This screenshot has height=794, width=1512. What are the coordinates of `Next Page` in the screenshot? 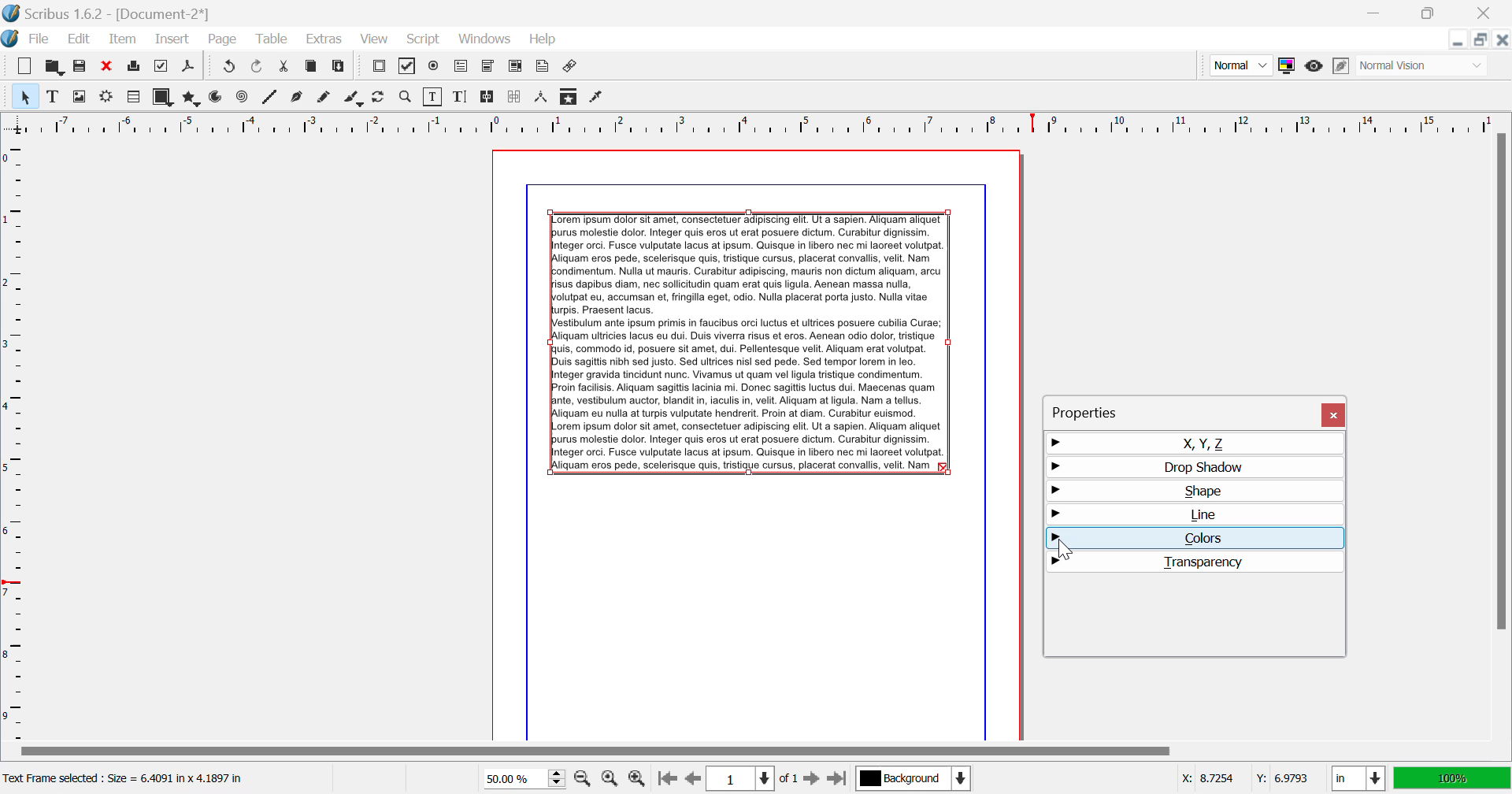 It's located at (811, 777).